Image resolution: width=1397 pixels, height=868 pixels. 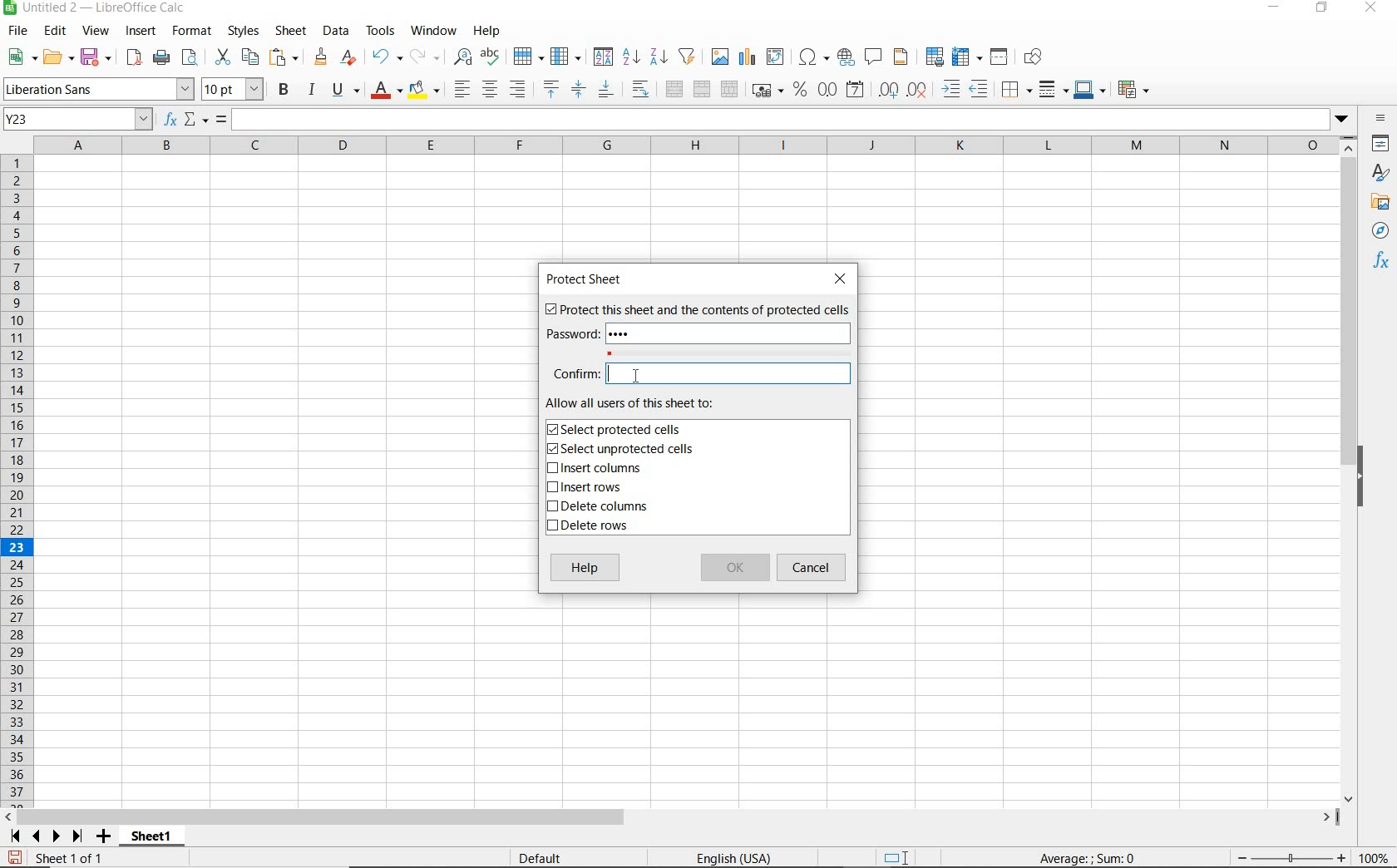 I want to click on CLONE FORMATTING, so click(x=322, y=57).